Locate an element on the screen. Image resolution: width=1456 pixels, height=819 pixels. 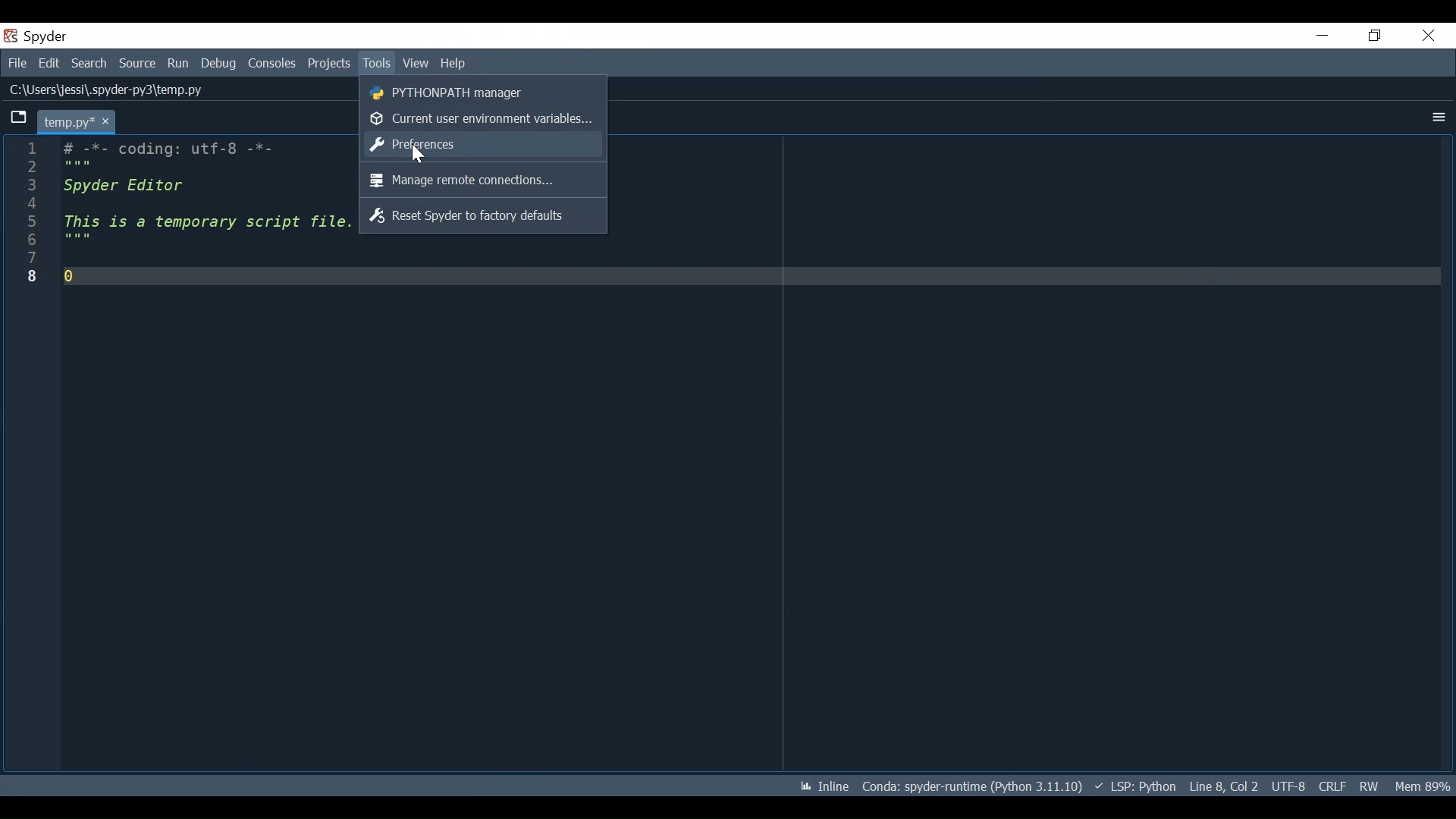
Run is located at coordinates (180, 64).